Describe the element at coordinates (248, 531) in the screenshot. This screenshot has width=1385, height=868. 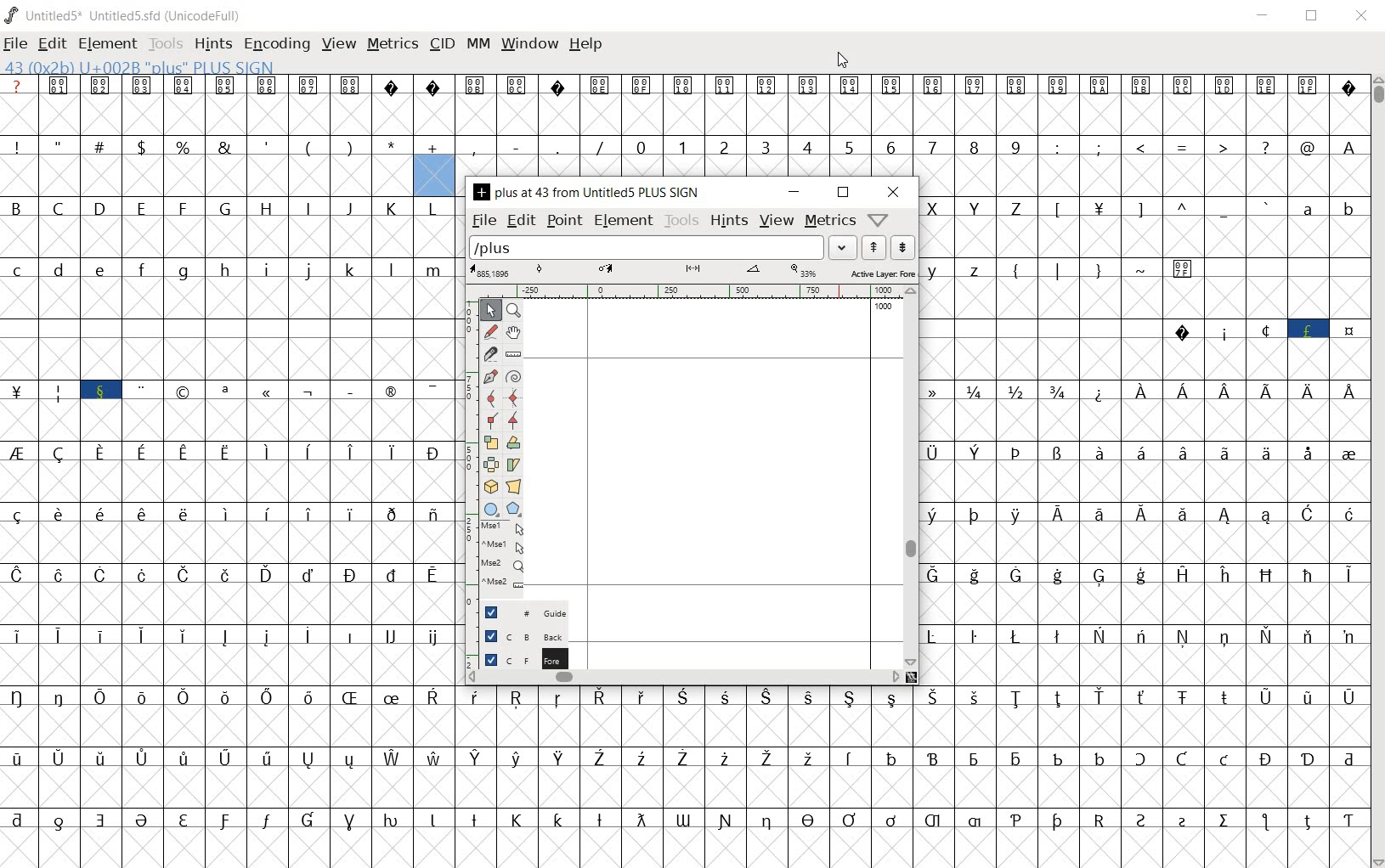
I see `Latin extended characters` at that location.